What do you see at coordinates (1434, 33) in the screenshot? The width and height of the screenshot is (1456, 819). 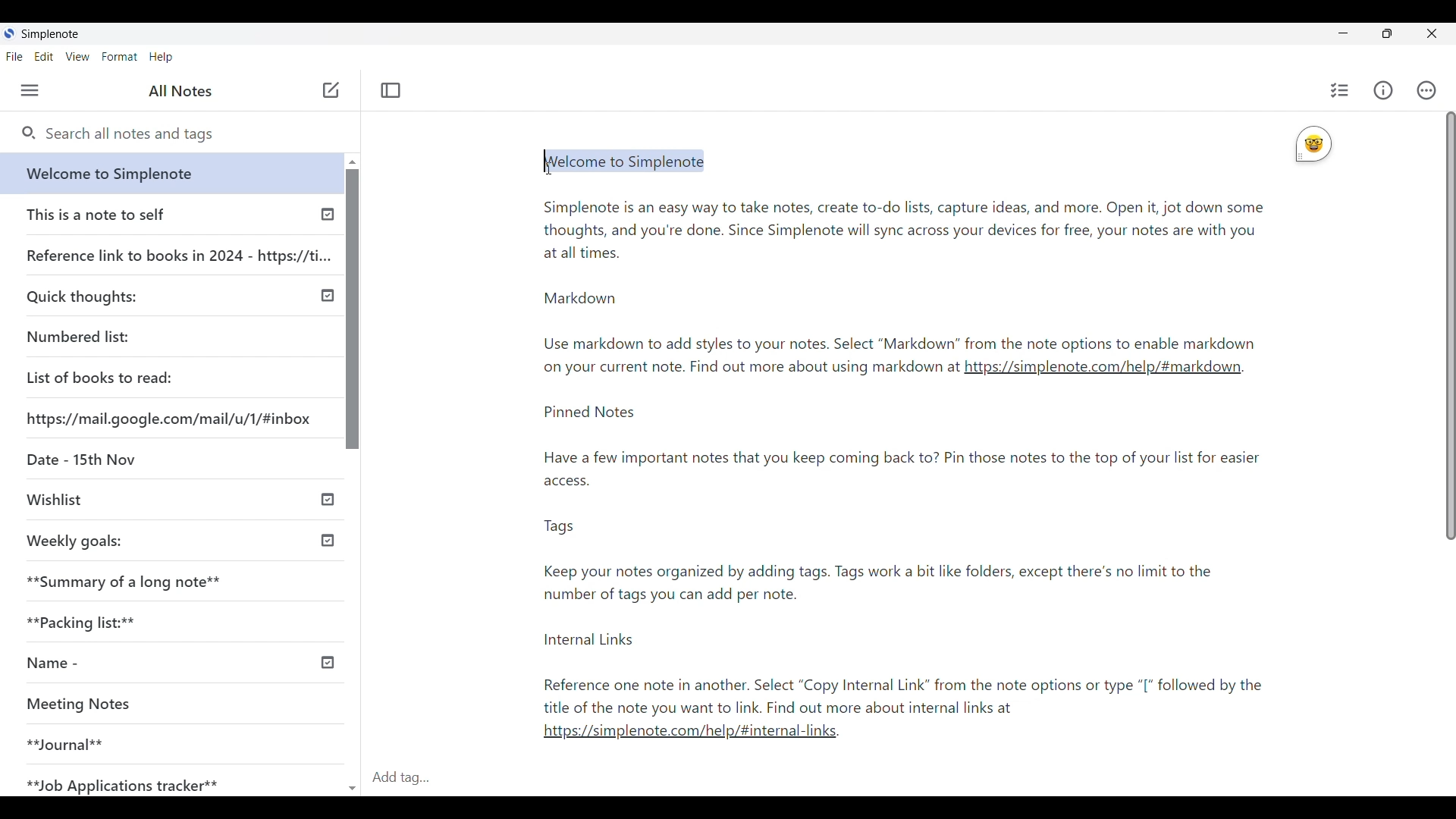 I see `Close interface` at bounding box center [1434, 33].